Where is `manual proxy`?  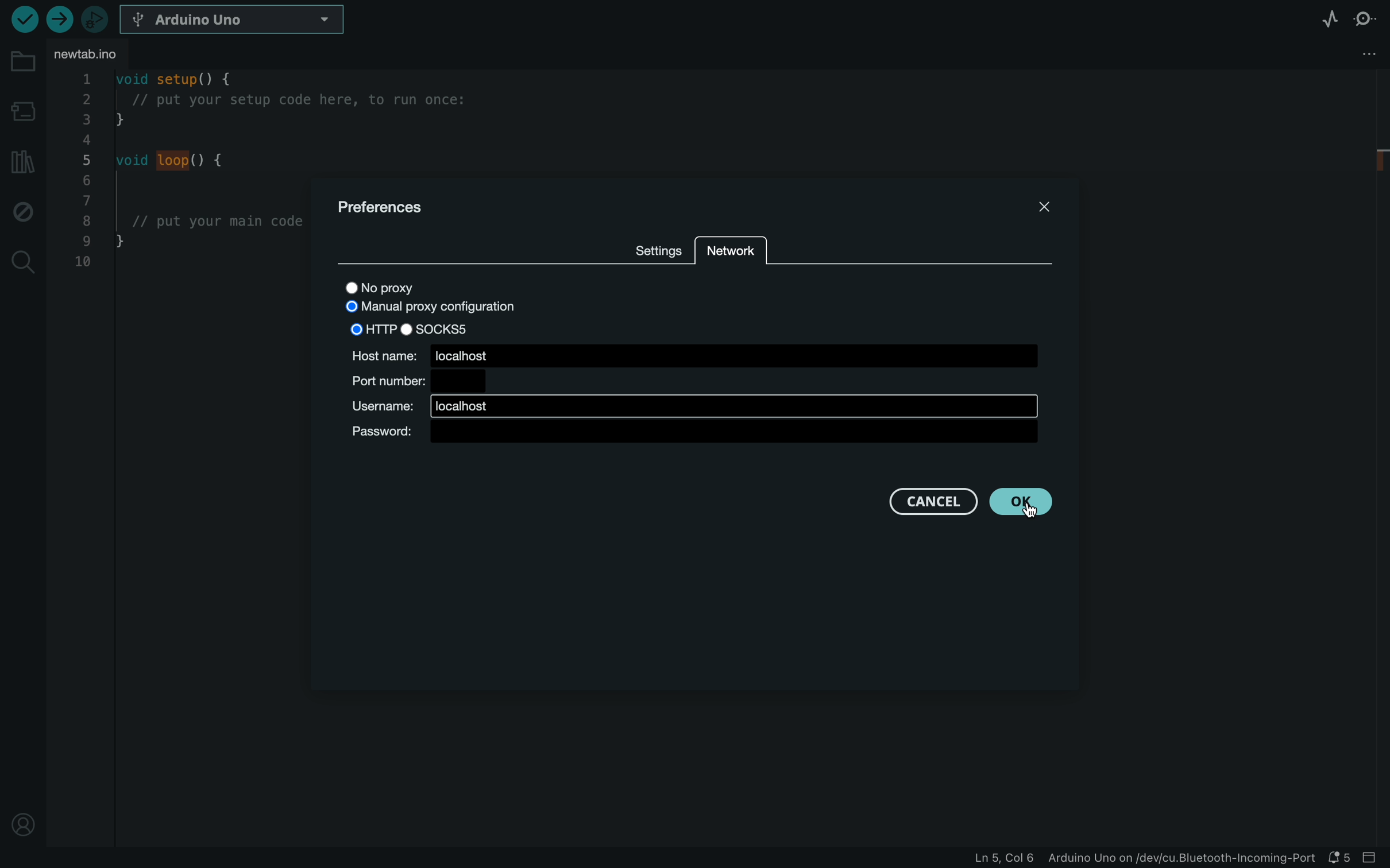
manual proxy is located at coordinates (439, 309).